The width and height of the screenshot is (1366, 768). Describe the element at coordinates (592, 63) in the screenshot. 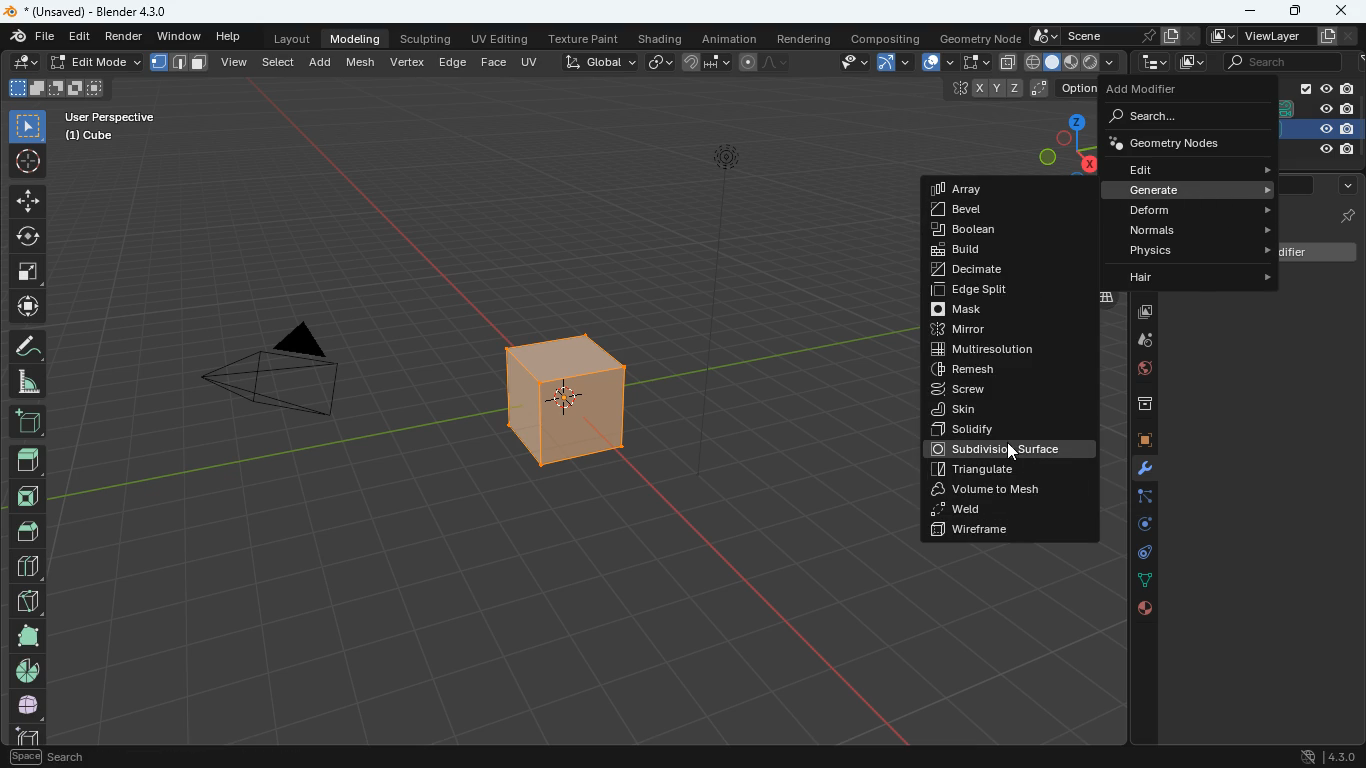

I see `global` at that location.